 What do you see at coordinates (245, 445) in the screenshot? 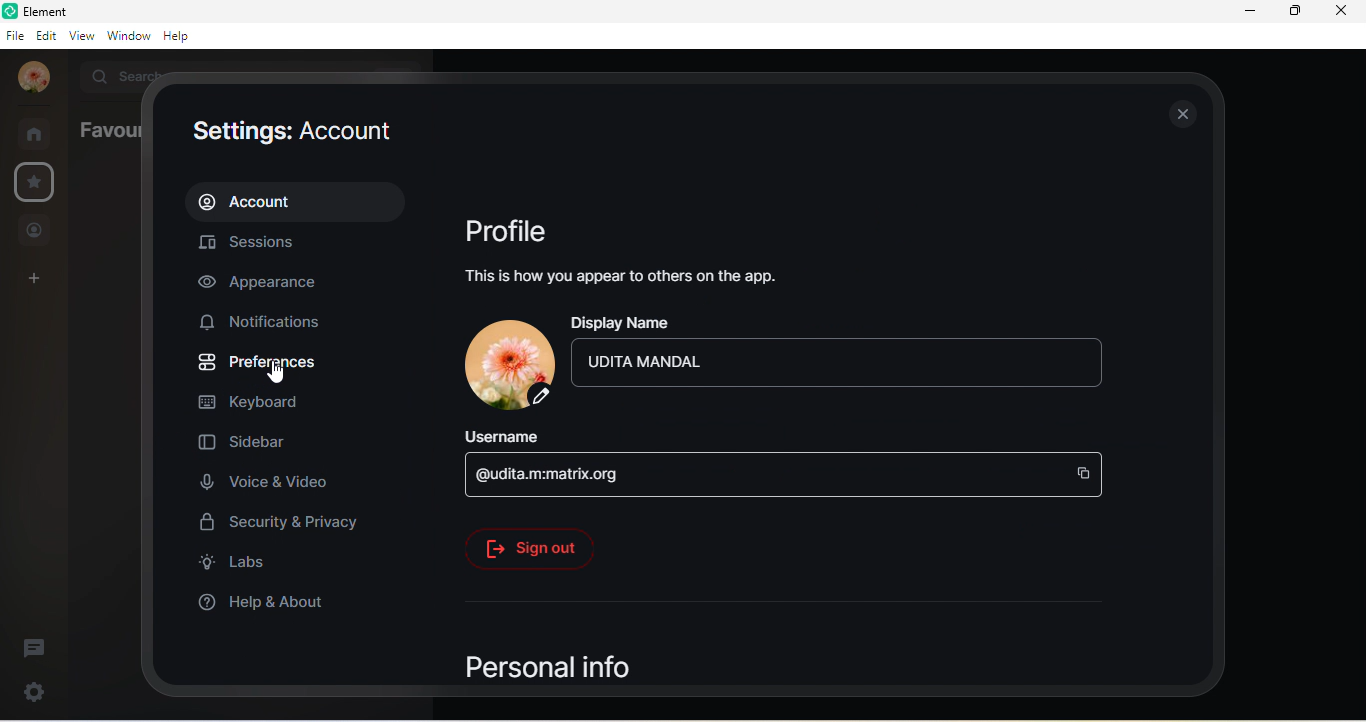
I see `sidebar` at bounding box center [245, 445].